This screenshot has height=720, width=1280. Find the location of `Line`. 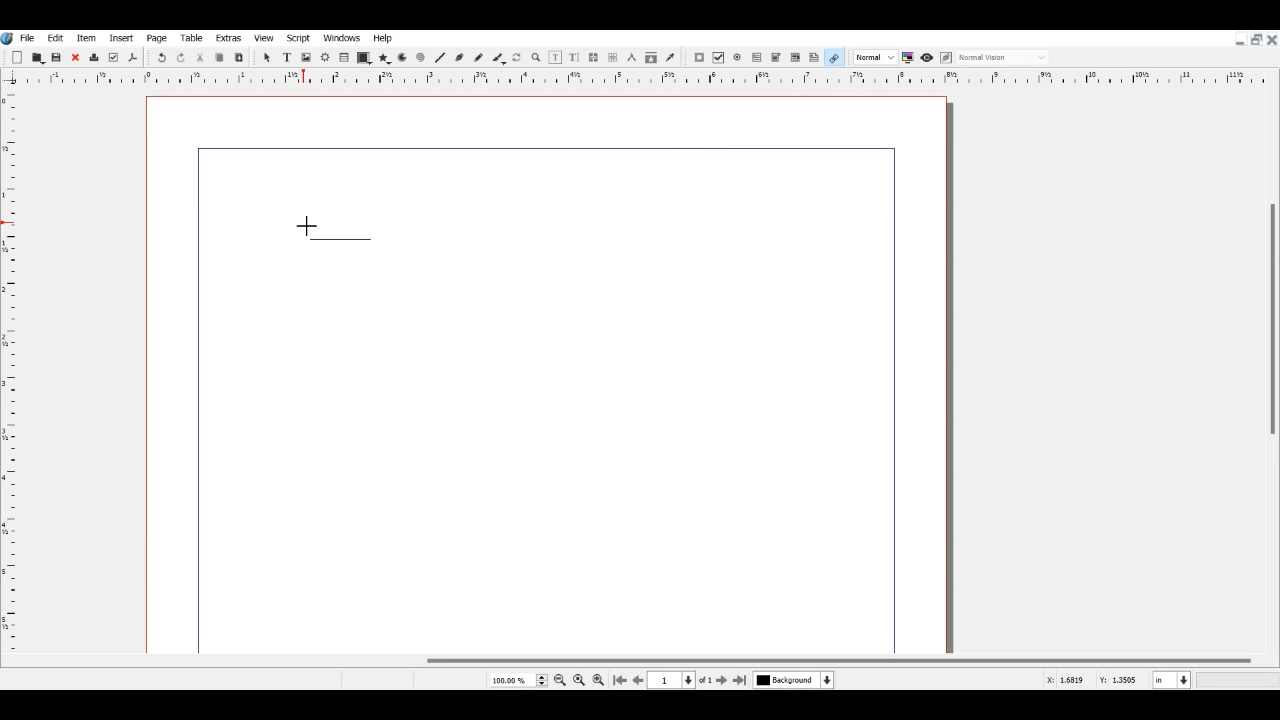

Line is located at coordinates (440, 57).